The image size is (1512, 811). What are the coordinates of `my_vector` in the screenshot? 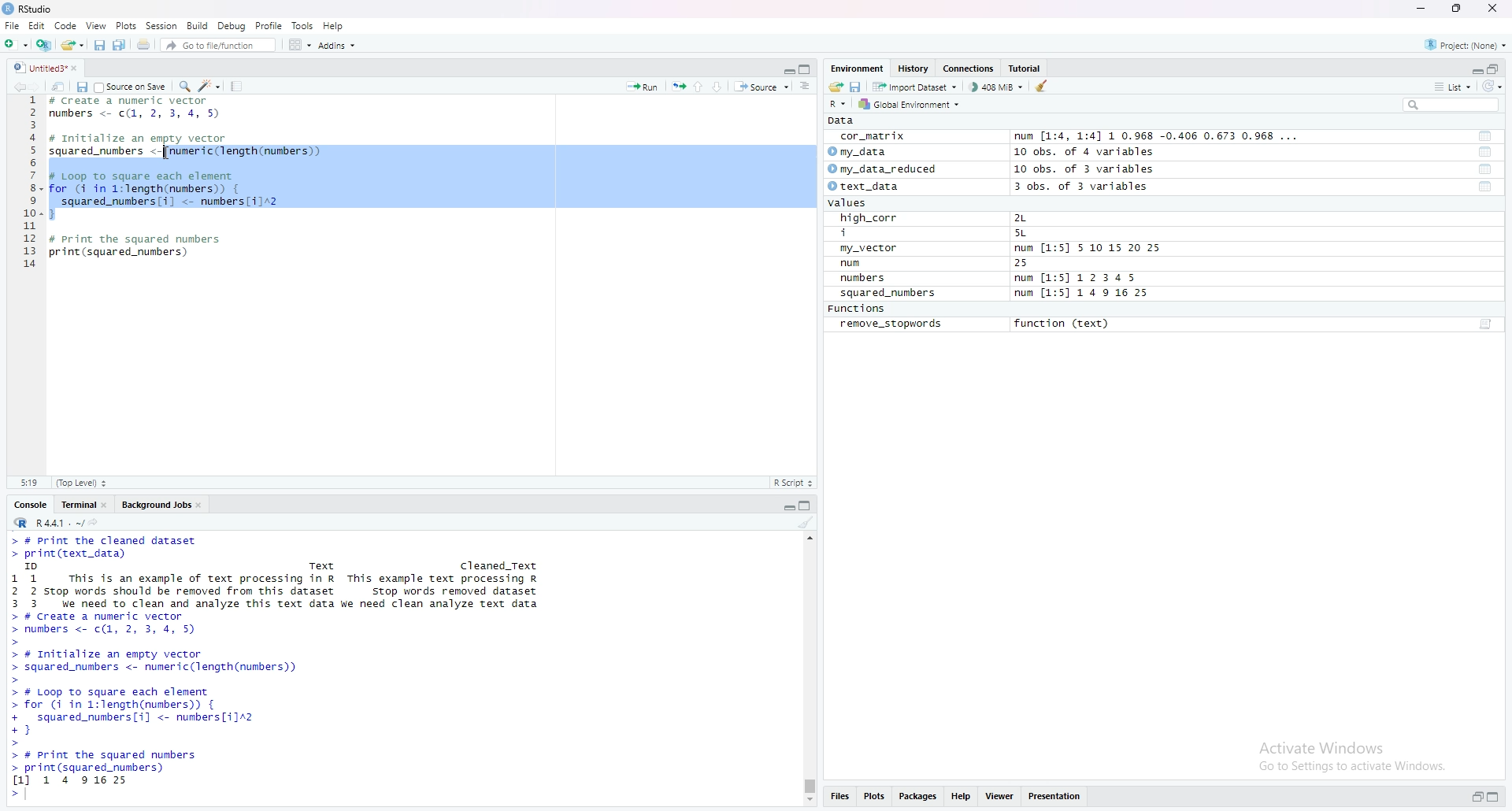 It's located at (870, 249).